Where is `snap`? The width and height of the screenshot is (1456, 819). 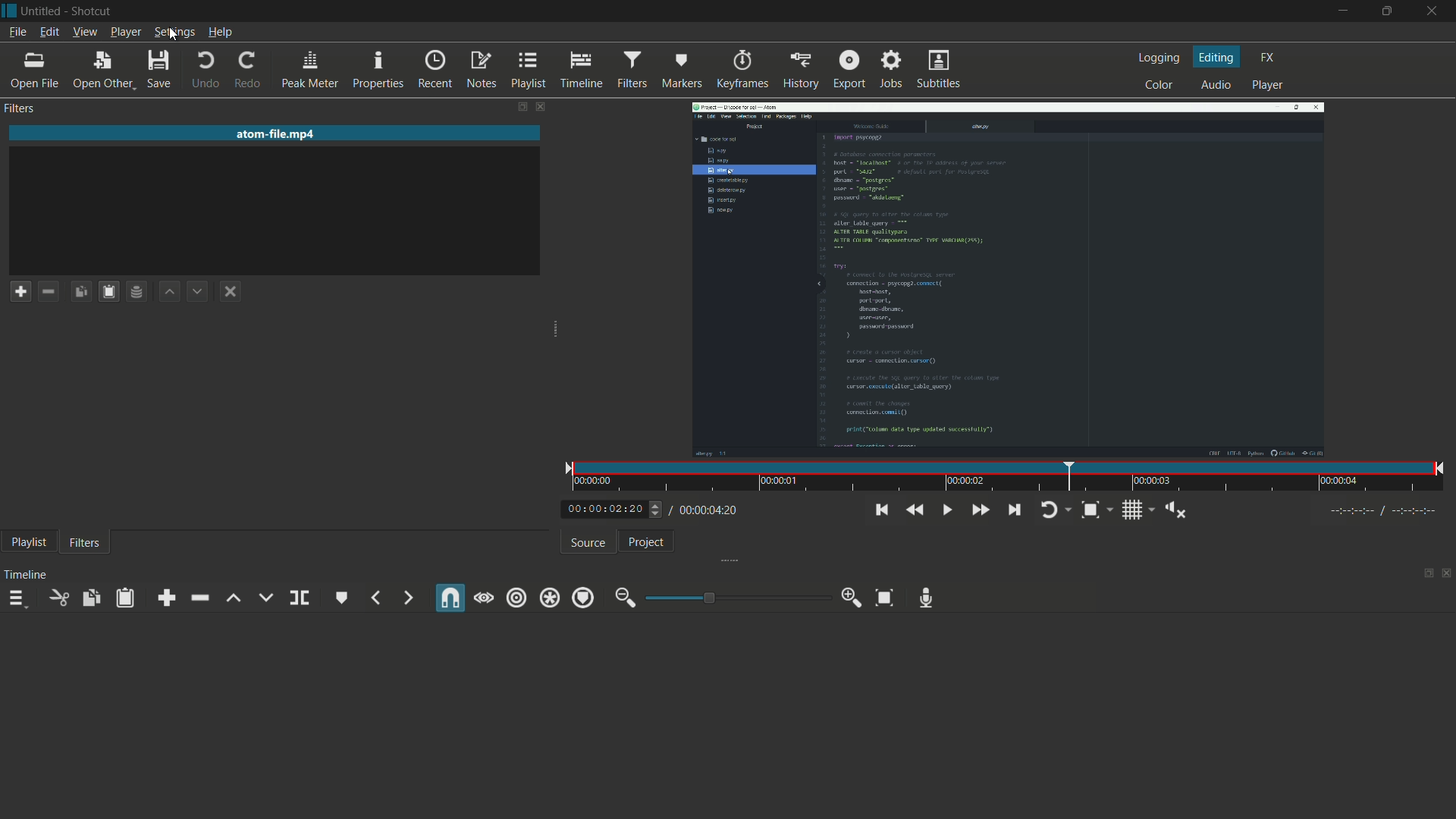 snap is located at coordinates (450, 599).